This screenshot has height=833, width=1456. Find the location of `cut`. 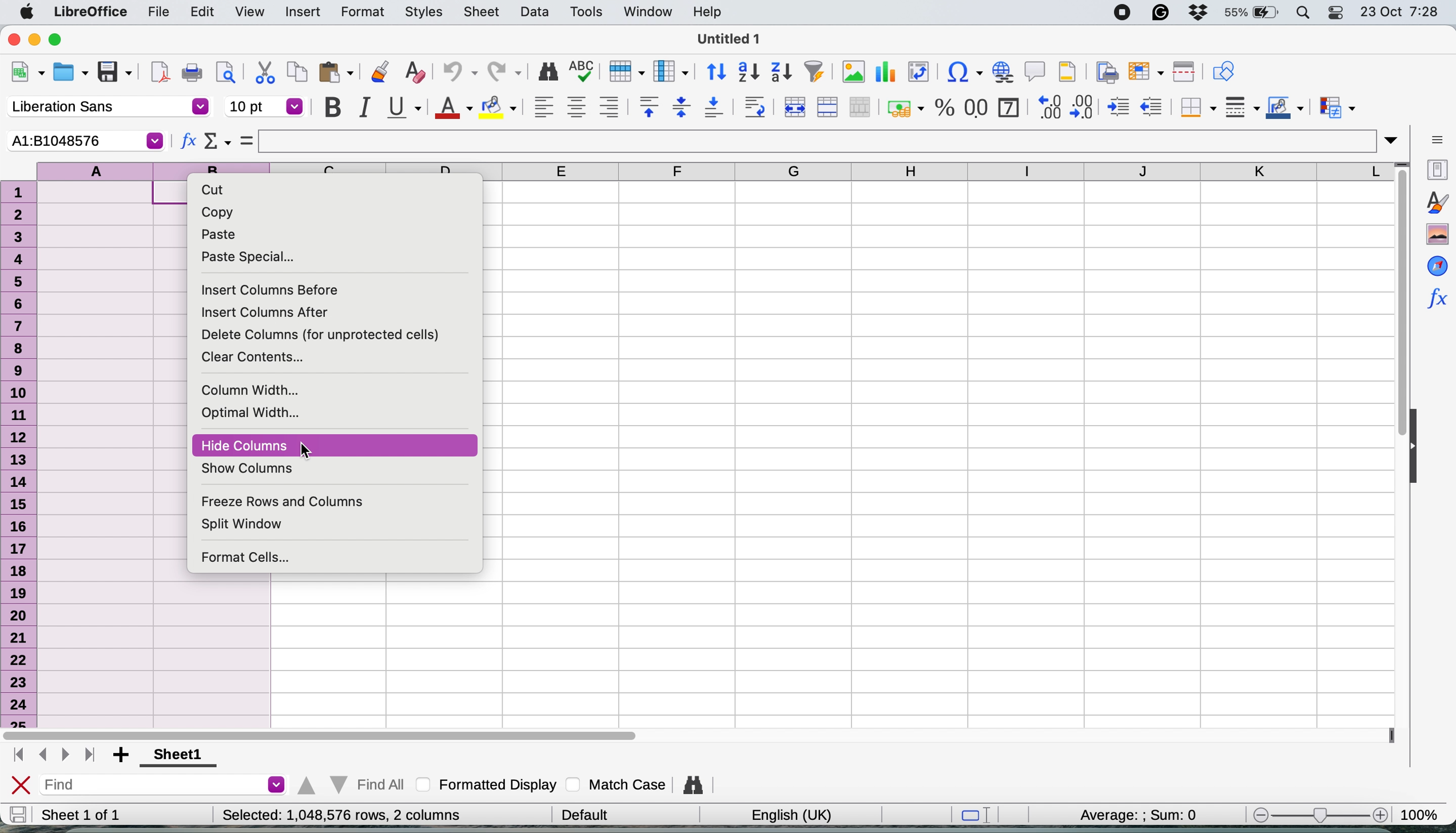

cut is located at coordinates (221, 191).